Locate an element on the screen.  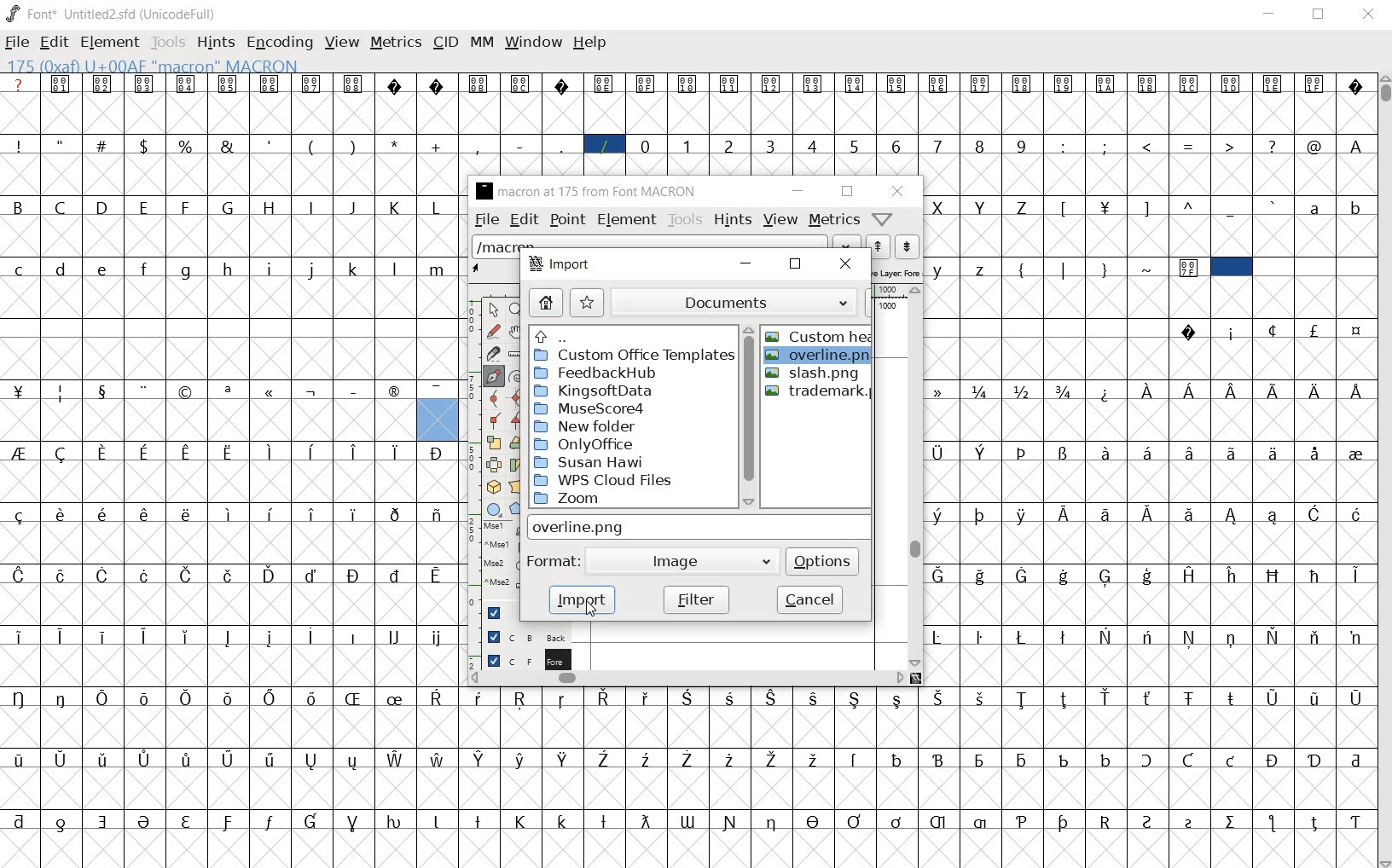
Symbol is located at coordinates (438, 454).